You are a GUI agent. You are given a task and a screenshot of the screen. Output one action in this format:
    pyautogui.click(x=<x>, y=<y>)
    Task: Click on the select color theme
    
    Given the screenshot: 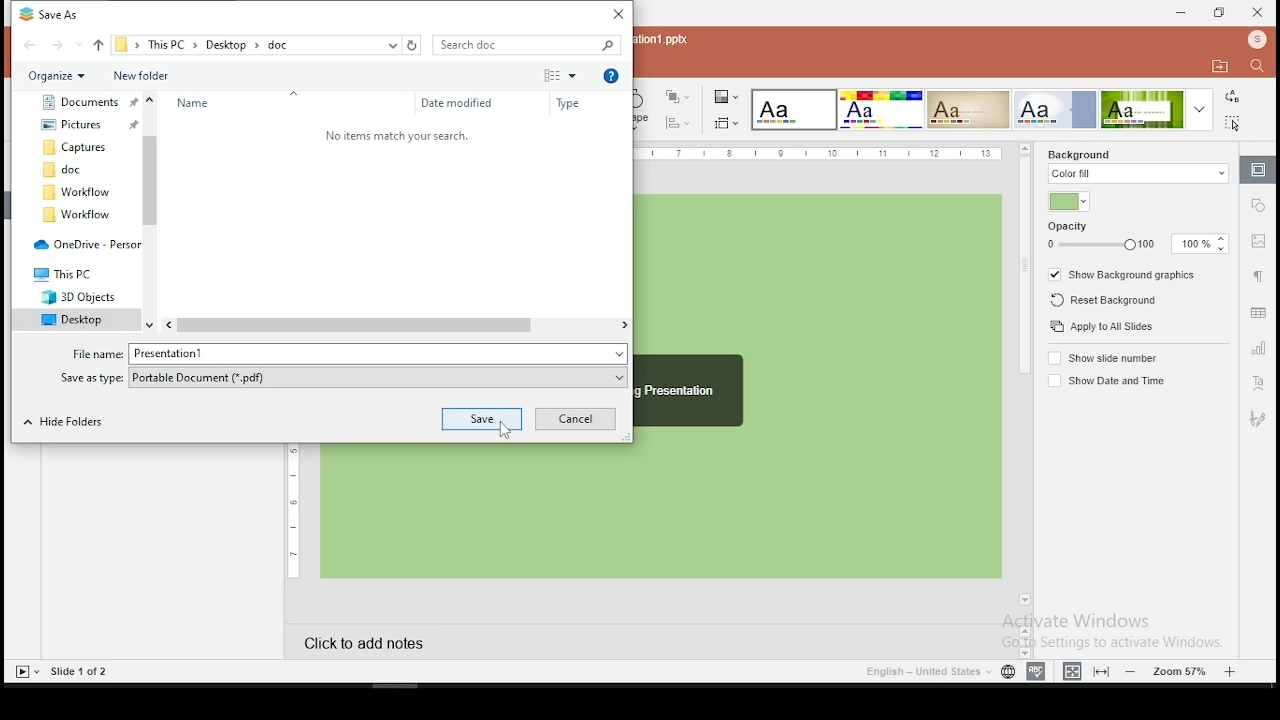 What is the action you would take?
    pyautogui.click(x=880, y=109)
    